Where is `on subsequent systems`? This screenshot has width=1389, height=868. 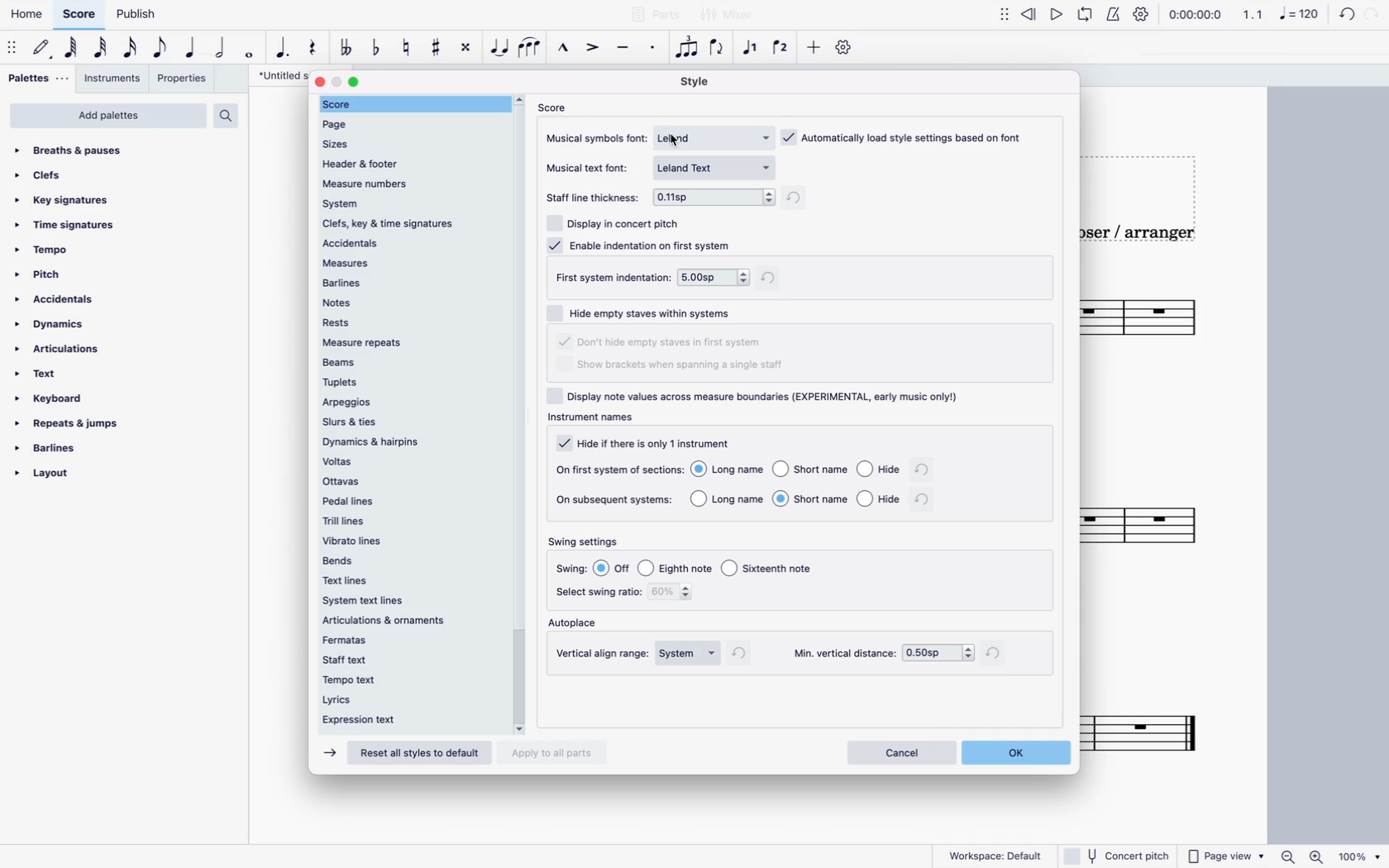 on subsequent systems is located at coordinates (616, 499).